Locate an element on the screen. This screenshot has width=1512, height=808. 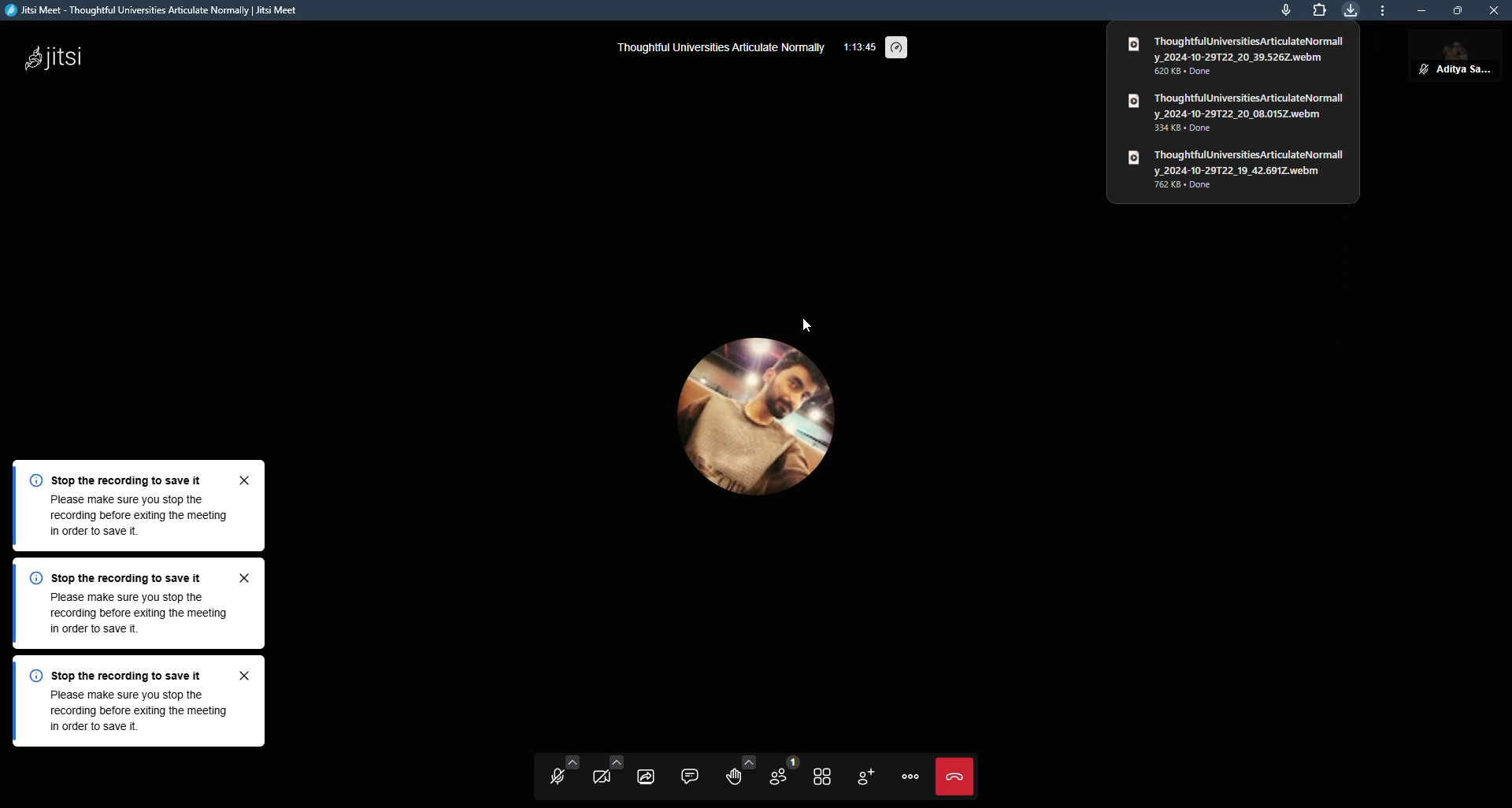
invite people is located at coordinates (865, 774).